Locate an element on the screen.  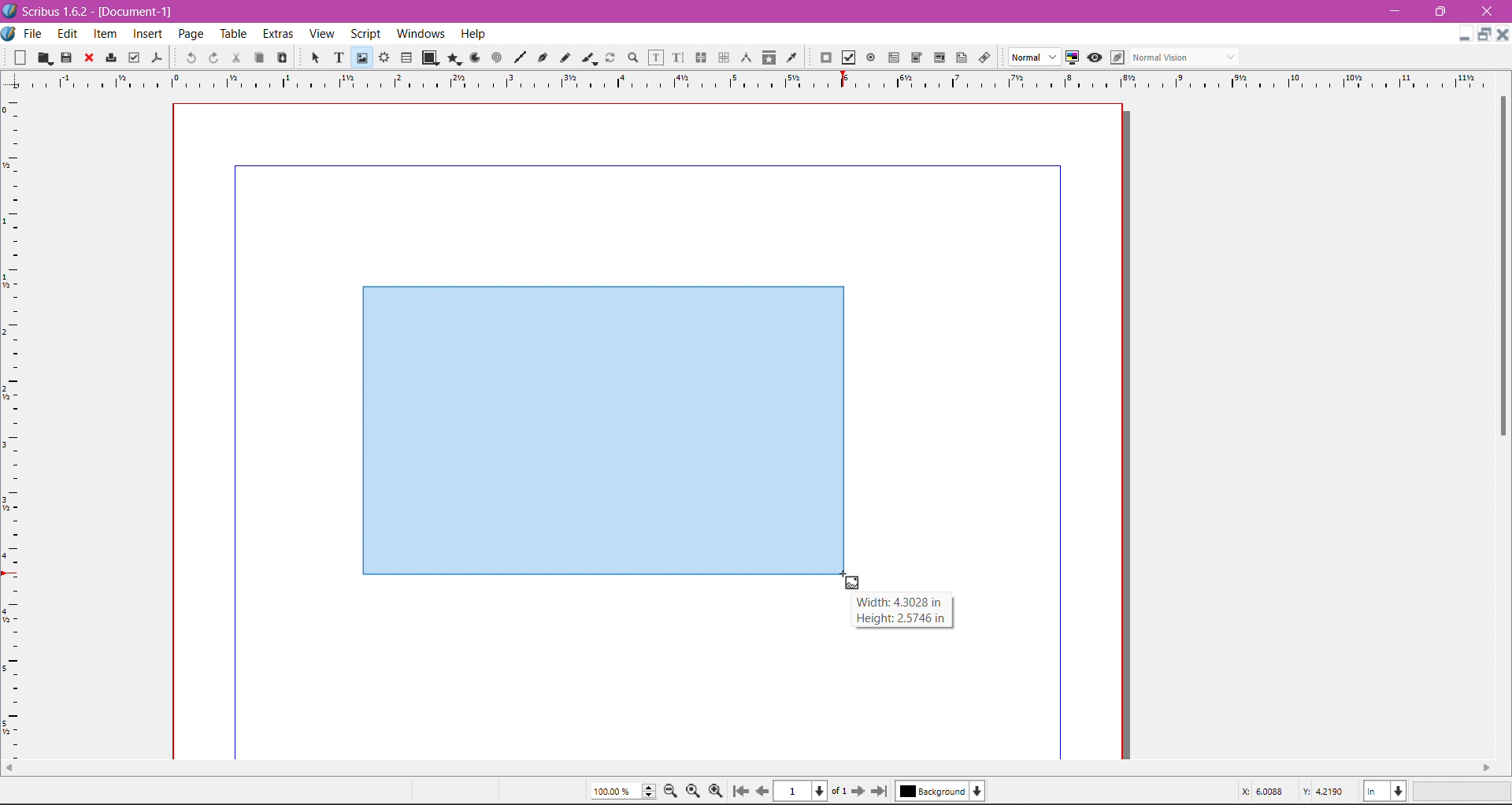
Toggle Color Management System is located at coordinates (1072, 57).